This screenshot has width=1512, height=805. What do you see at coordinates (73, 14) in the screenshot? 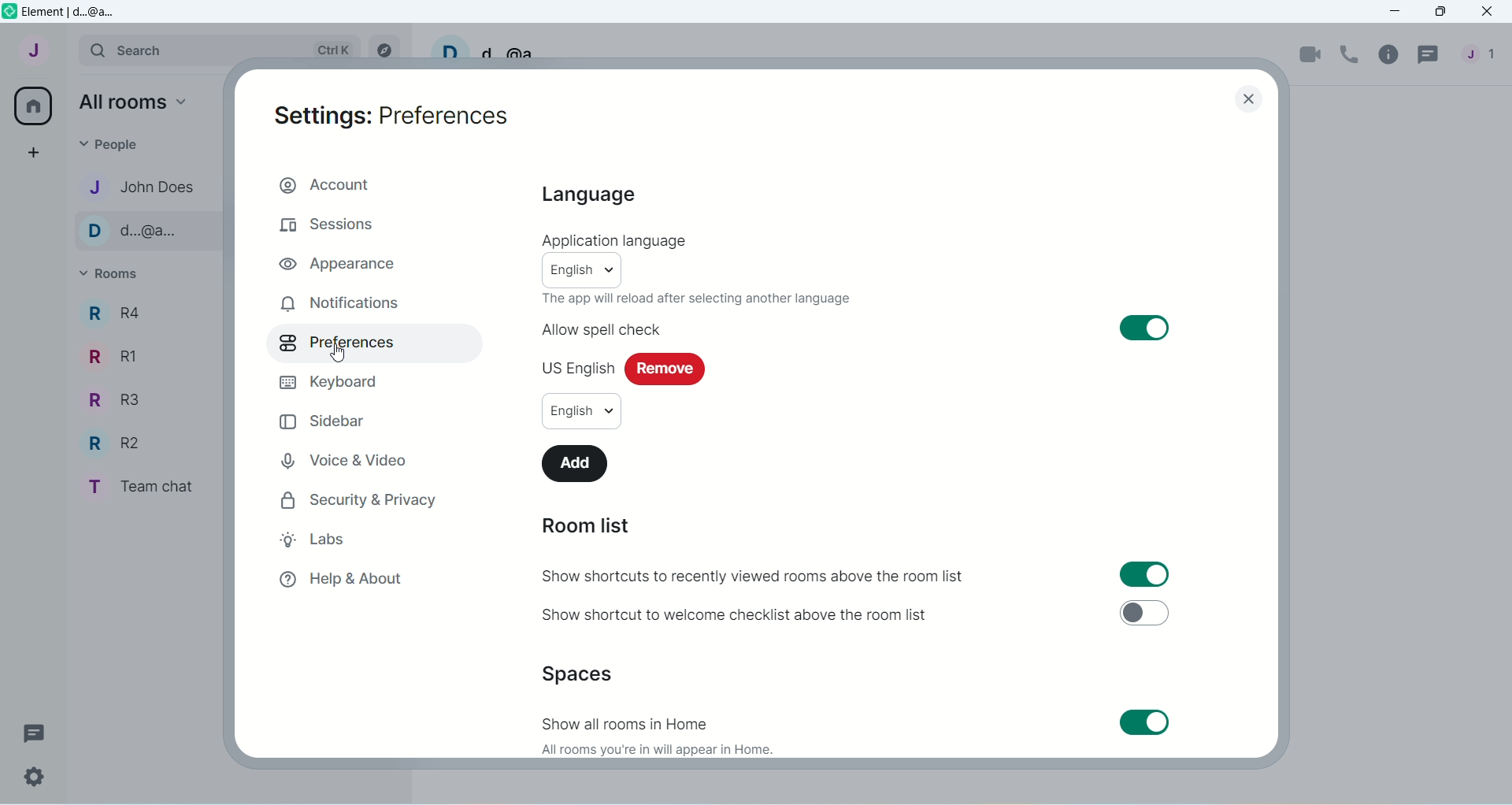
I see `Element d@a` at bounding box center [73, 14].